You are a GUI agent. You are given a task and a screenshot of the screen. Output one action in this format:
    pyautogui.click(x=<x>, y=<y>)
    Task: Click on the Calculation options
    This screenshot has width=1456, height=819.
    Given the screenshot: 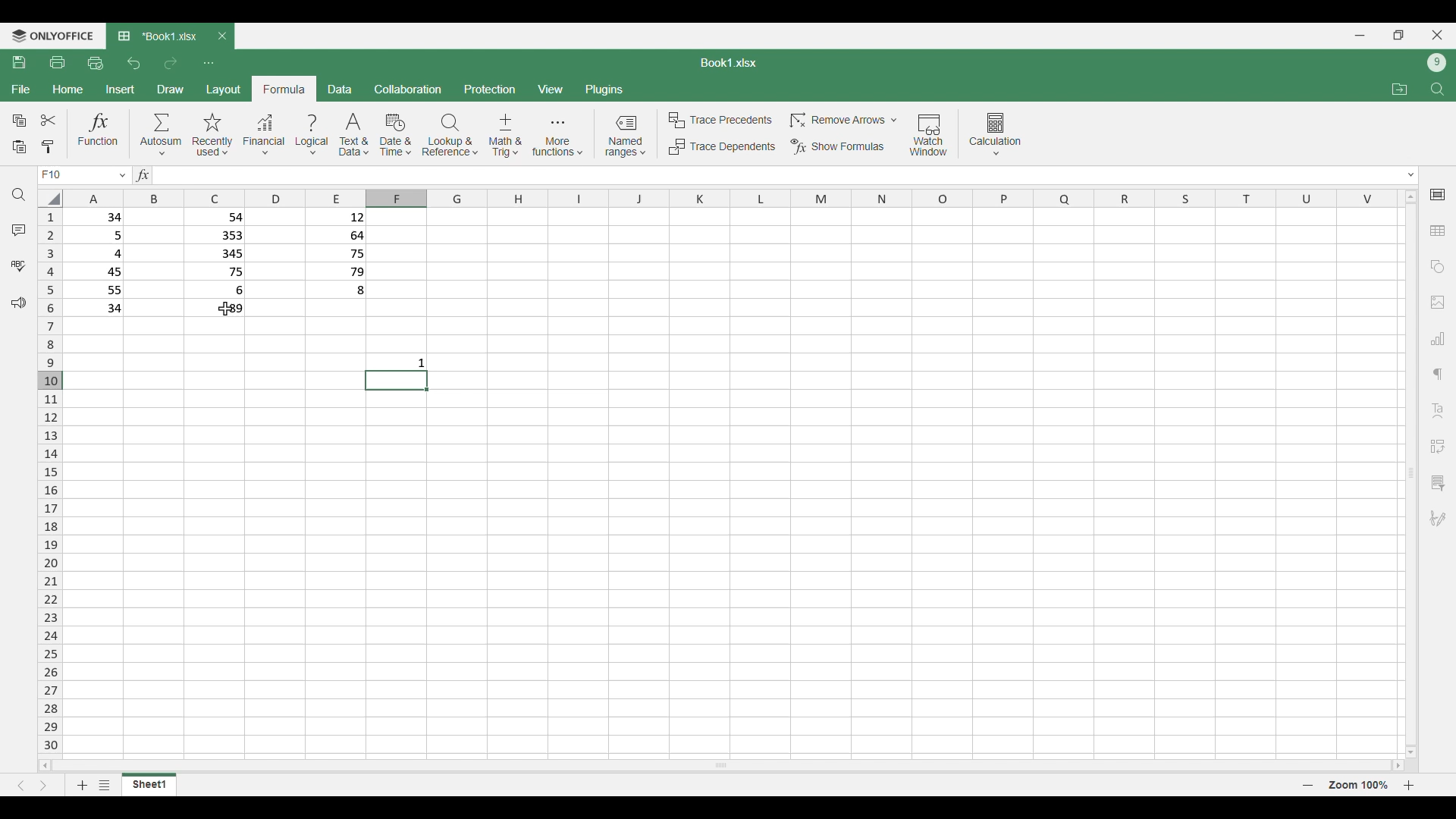 What is the action you would take?
    pyautogui.click(x=996, y=134)
    